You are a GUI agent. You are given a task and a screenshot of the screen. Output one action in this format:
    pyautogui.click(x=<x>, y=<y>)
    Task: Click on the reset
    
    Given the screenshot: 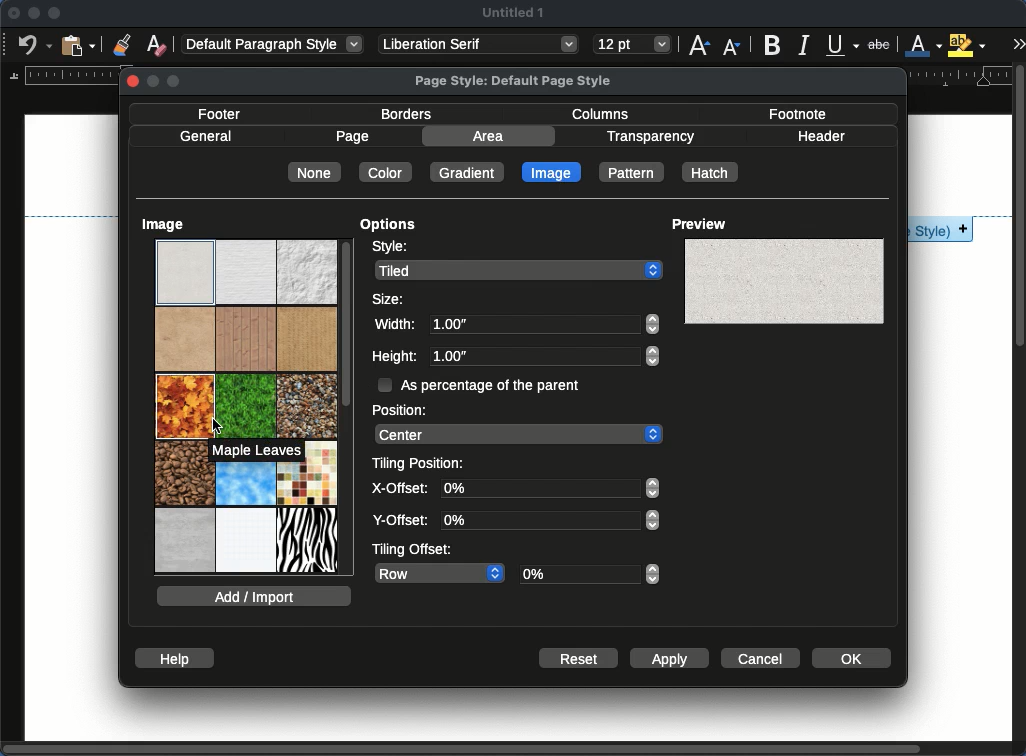 What is the action you would take?
    pyautogui.click(x=578, y=657)
    